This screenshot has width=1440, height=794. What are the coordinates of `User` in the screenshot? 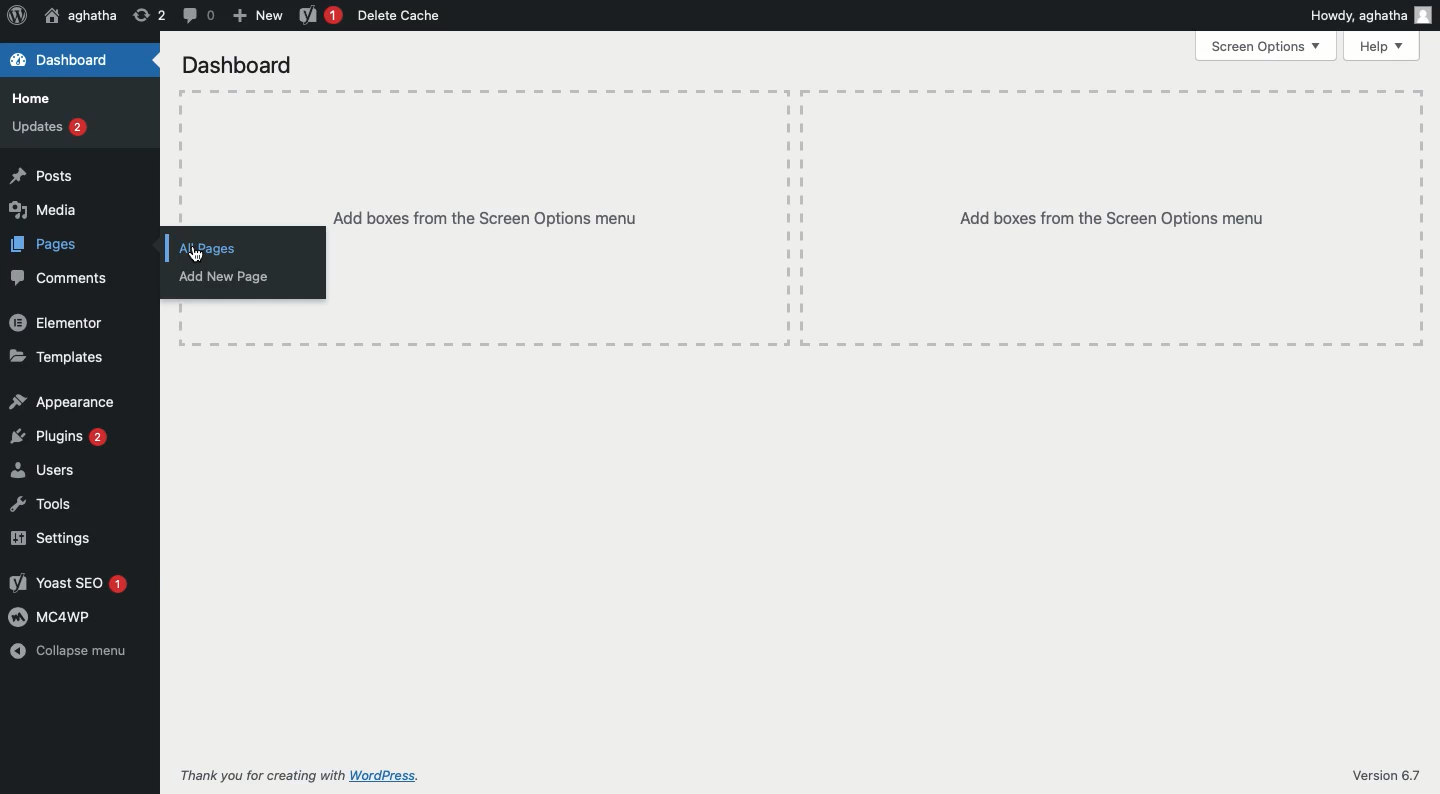 It's located at (80, 16).